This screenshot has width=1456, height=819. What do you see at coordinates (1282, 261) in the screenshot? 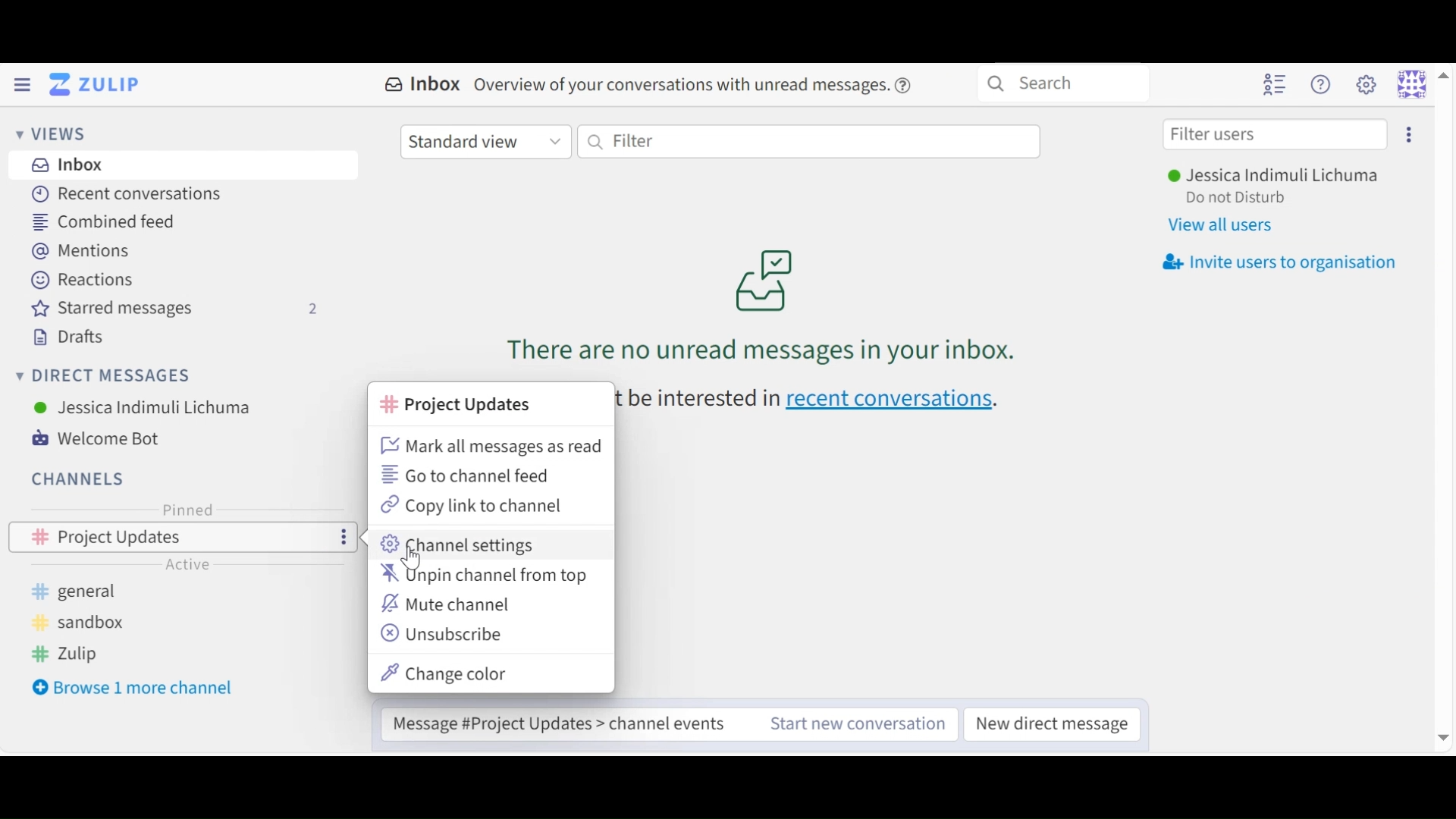
I see `Invite user organisation` at bounding box center [1282, 261].